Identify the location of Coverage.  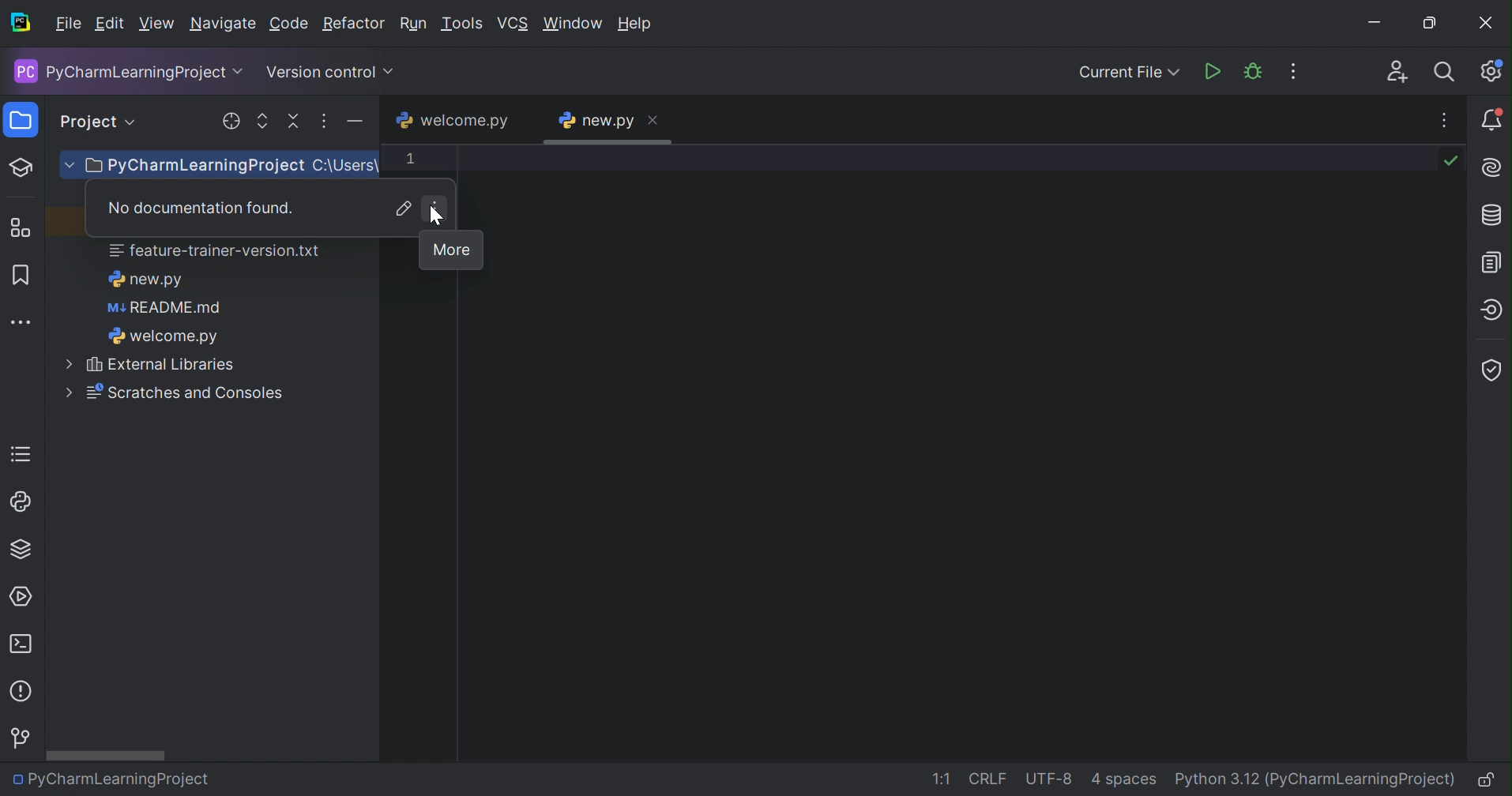
(1491, 370).